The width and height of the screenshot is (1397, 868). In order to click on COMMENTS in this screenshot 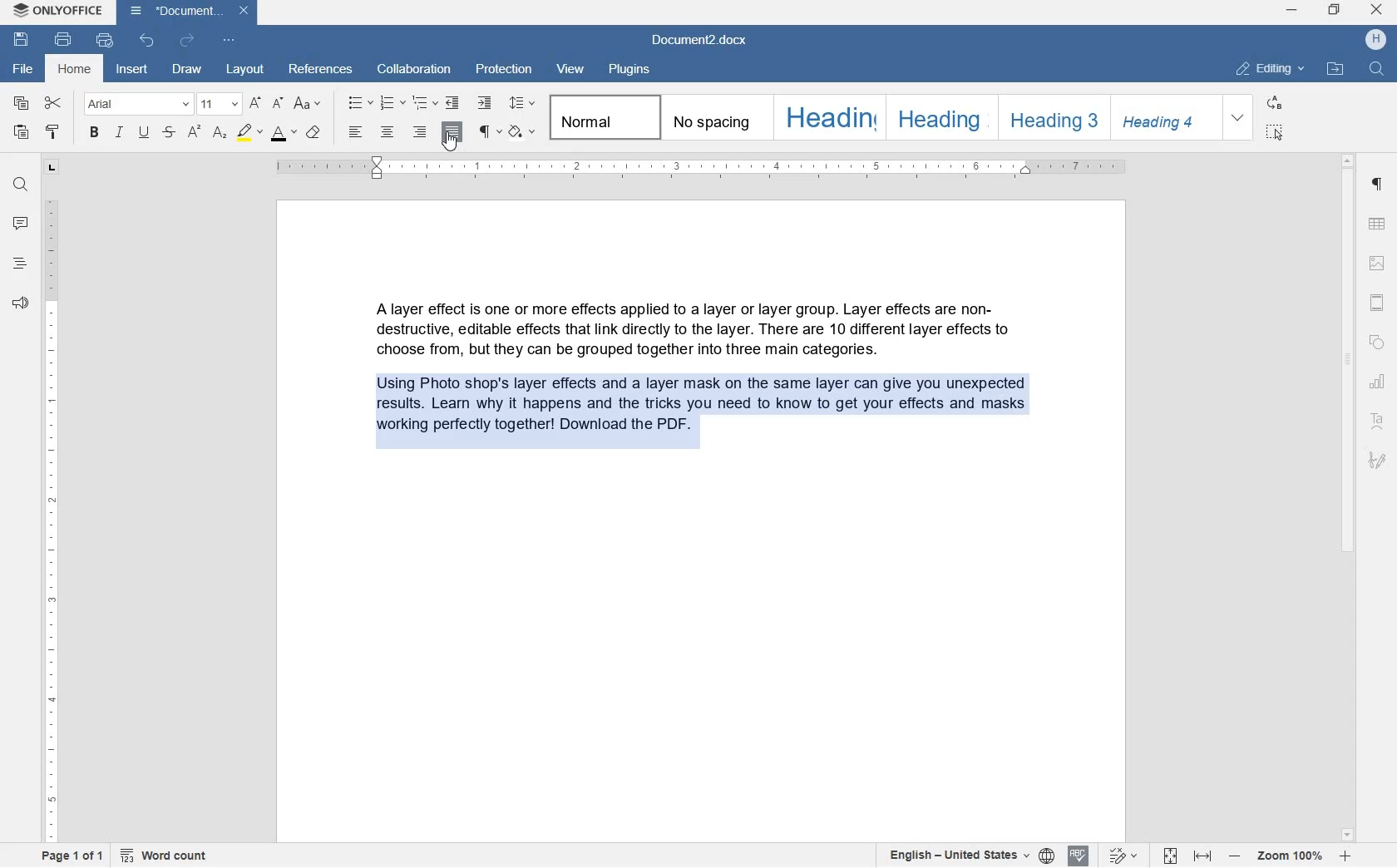, I will do `click(19, 223)`.